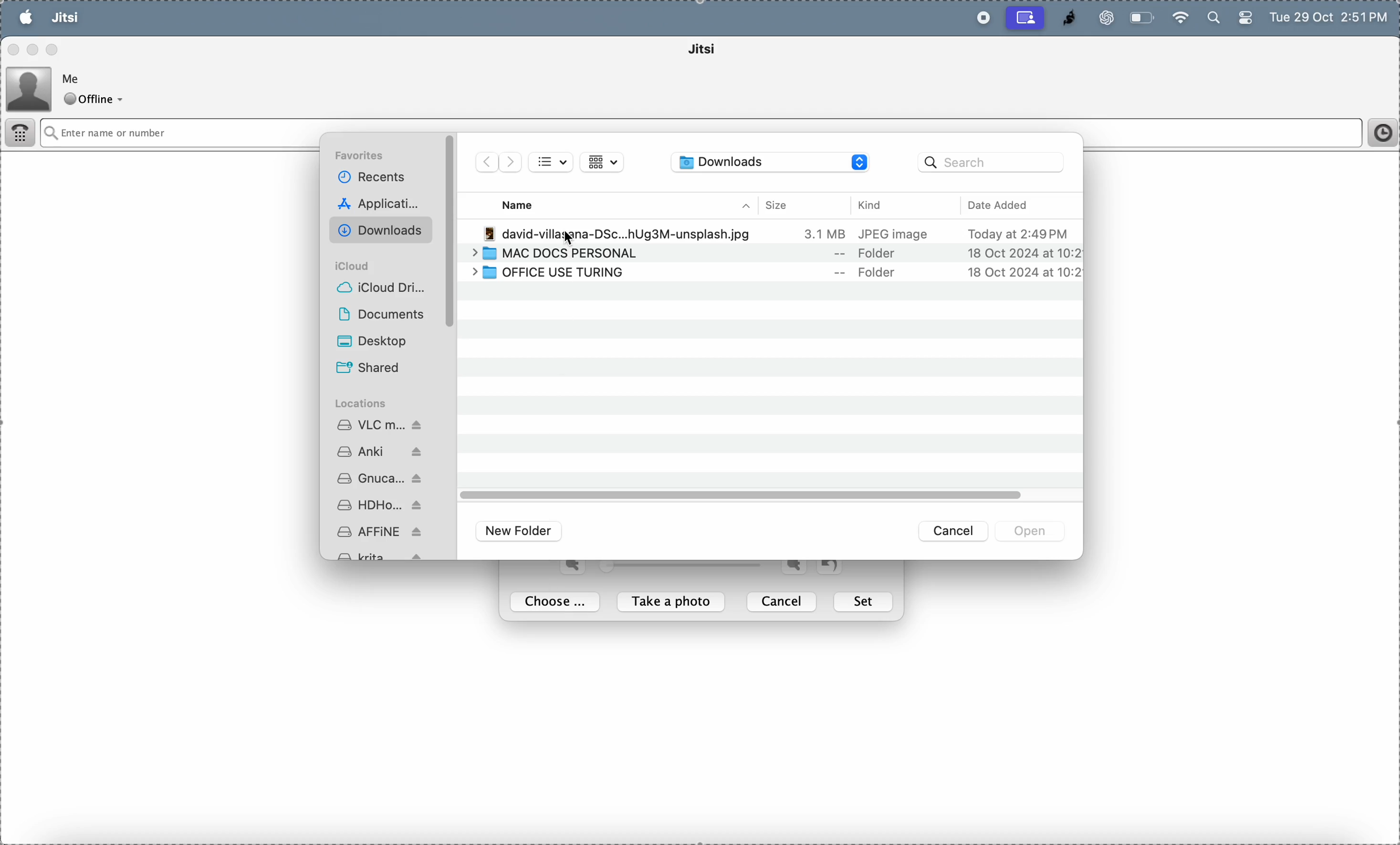  What do you see at coordinates (74, 77) in the screenshot?
I see `Me` at bounding box center [74, 77].